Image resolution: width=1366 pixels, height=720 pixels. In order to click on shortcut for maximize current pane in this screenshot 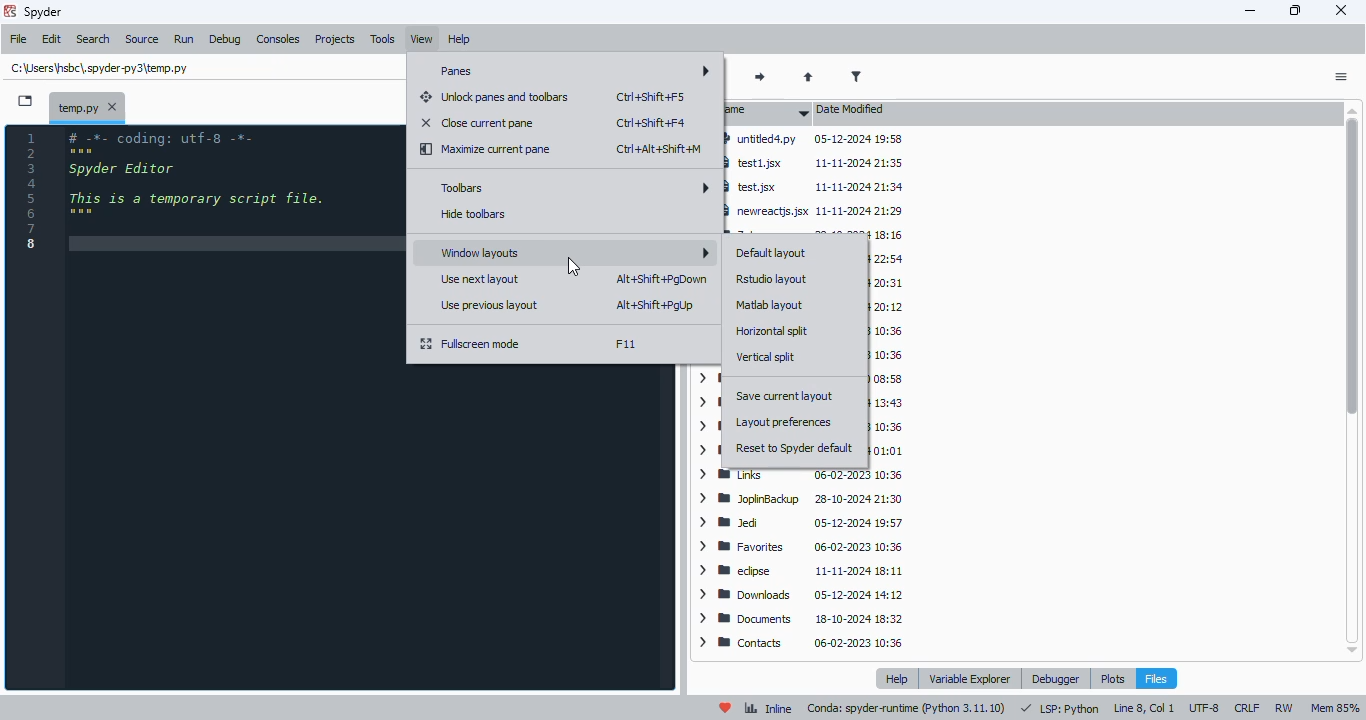, I will do `click(657, 149)`.